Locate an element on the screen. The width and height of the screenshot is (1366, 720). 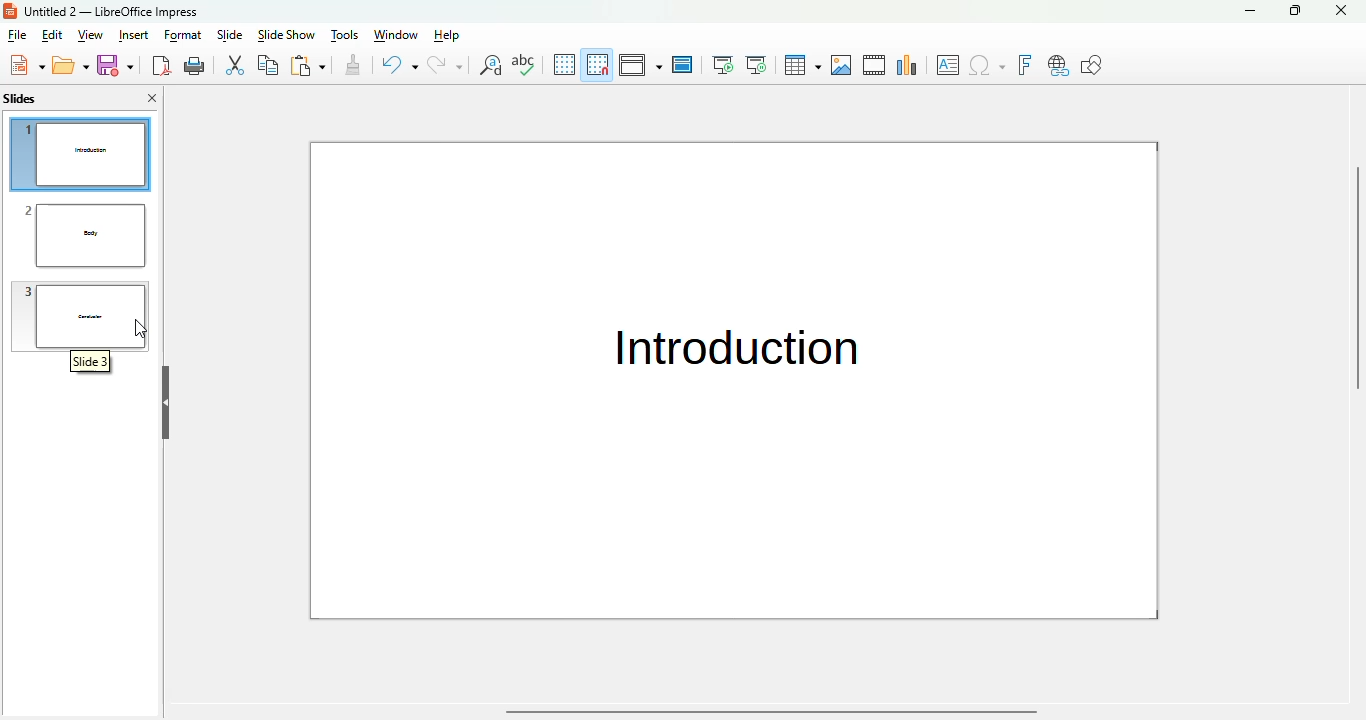
display views is located at coordinates (640, 64).